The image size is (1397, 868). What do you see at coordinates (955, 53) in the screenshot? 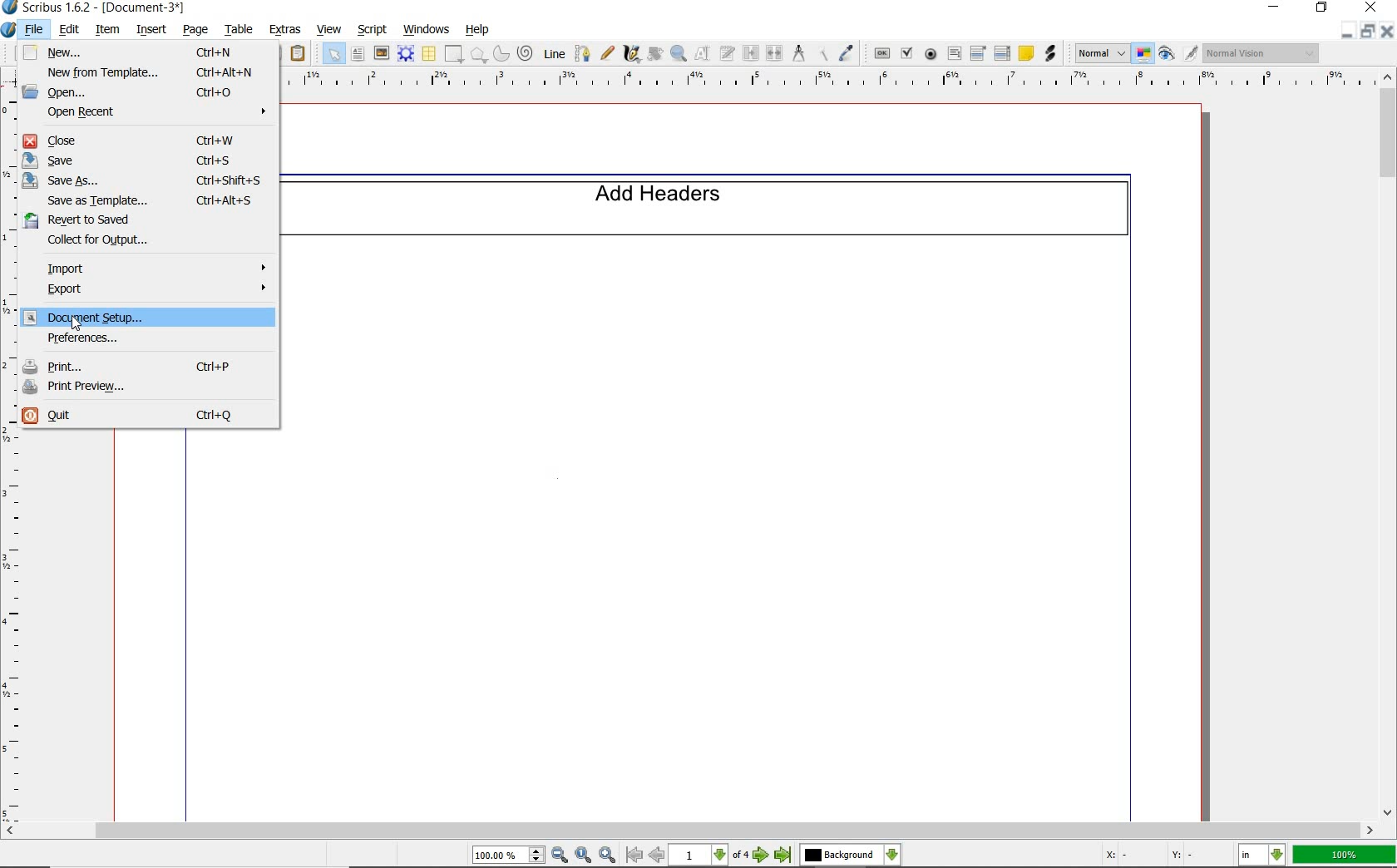
I see `pdf text field` at bounding box center [955, 53].